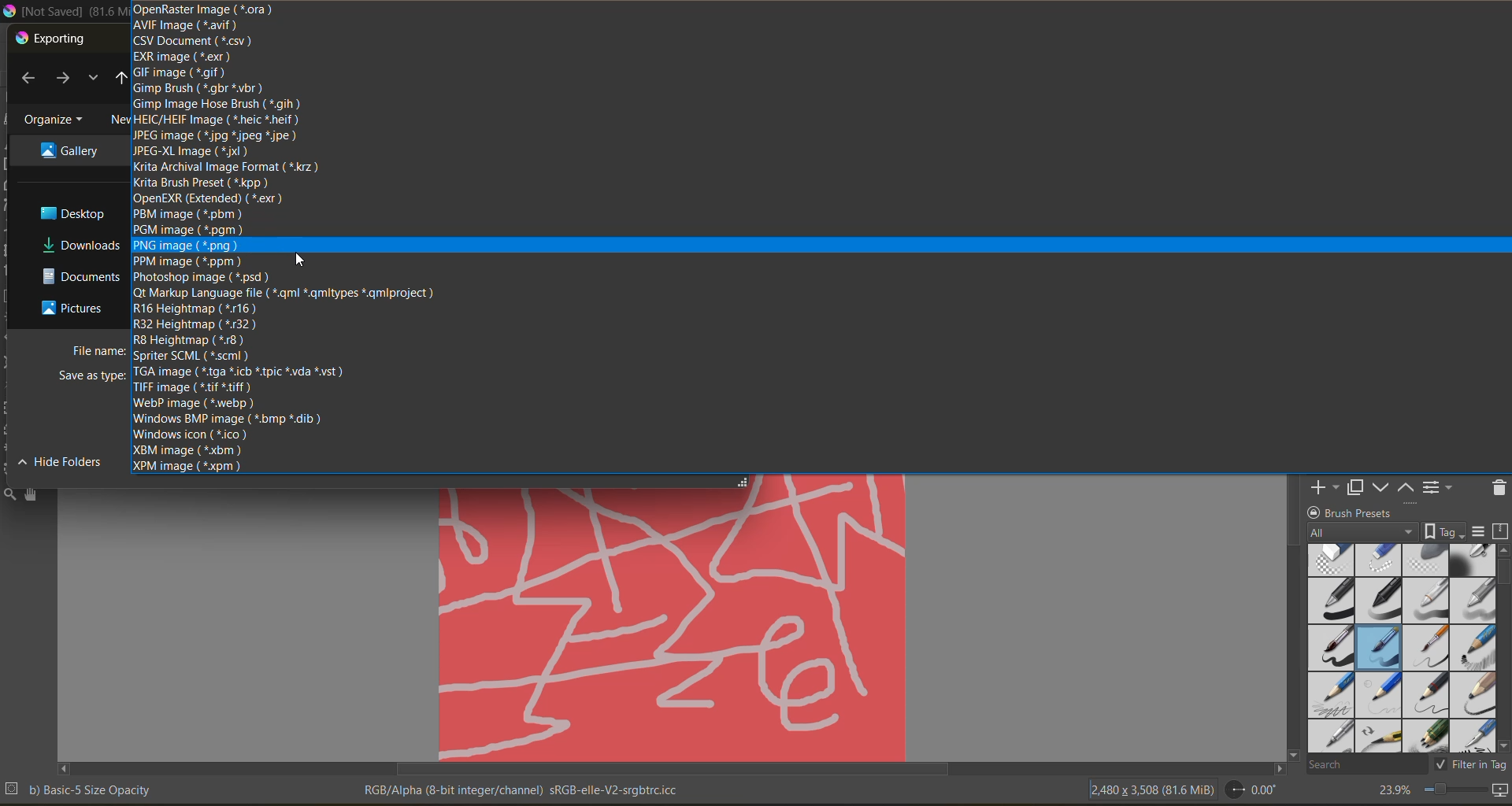 This screenshot has width=1512, height=806. I want to click on jpeg image, so click(218, 135).